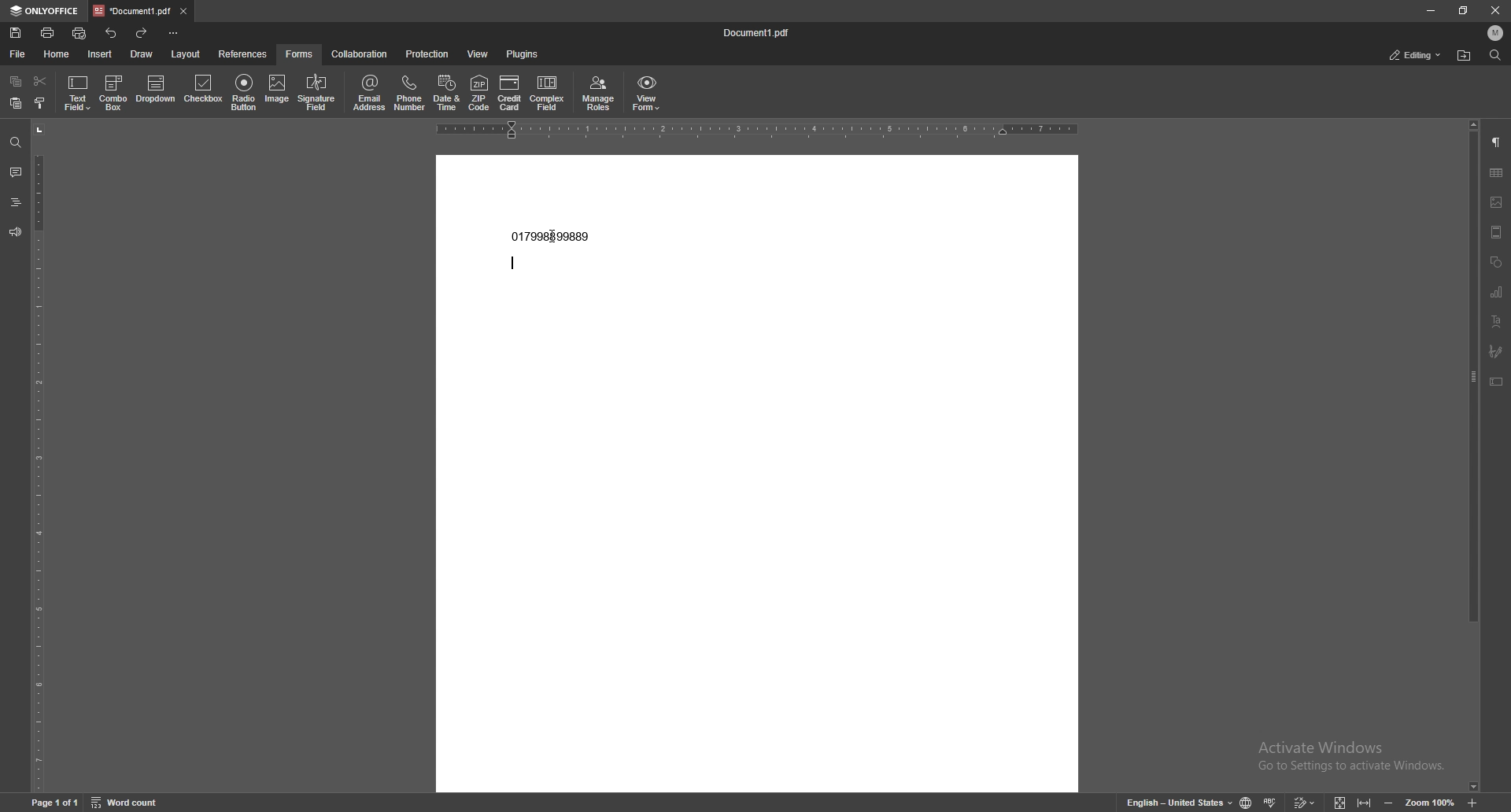 The height and width of the screenshot is (812, 1511). I want to click on layout, so click(187, 54).